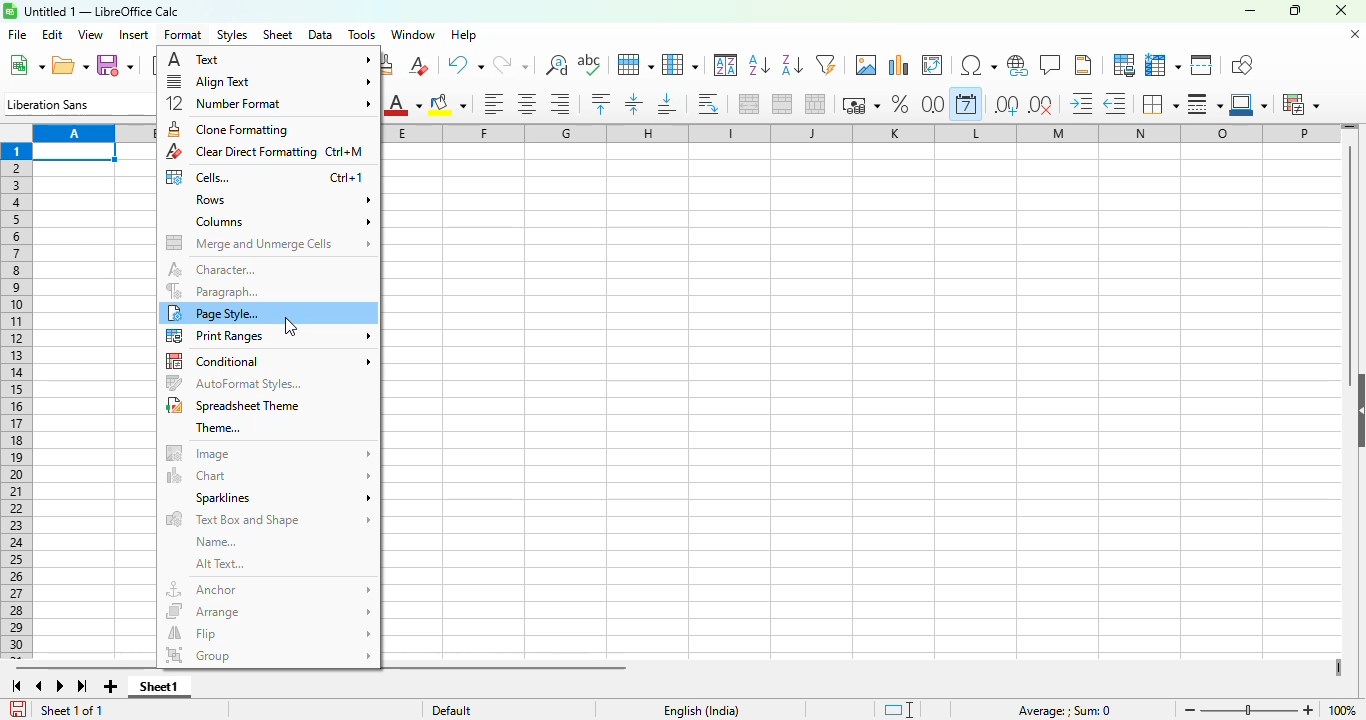 This screenshot has width=1366, height=720. Describe the element at coordinates (1341, 10) in the screenshot. I see `close` at that location.